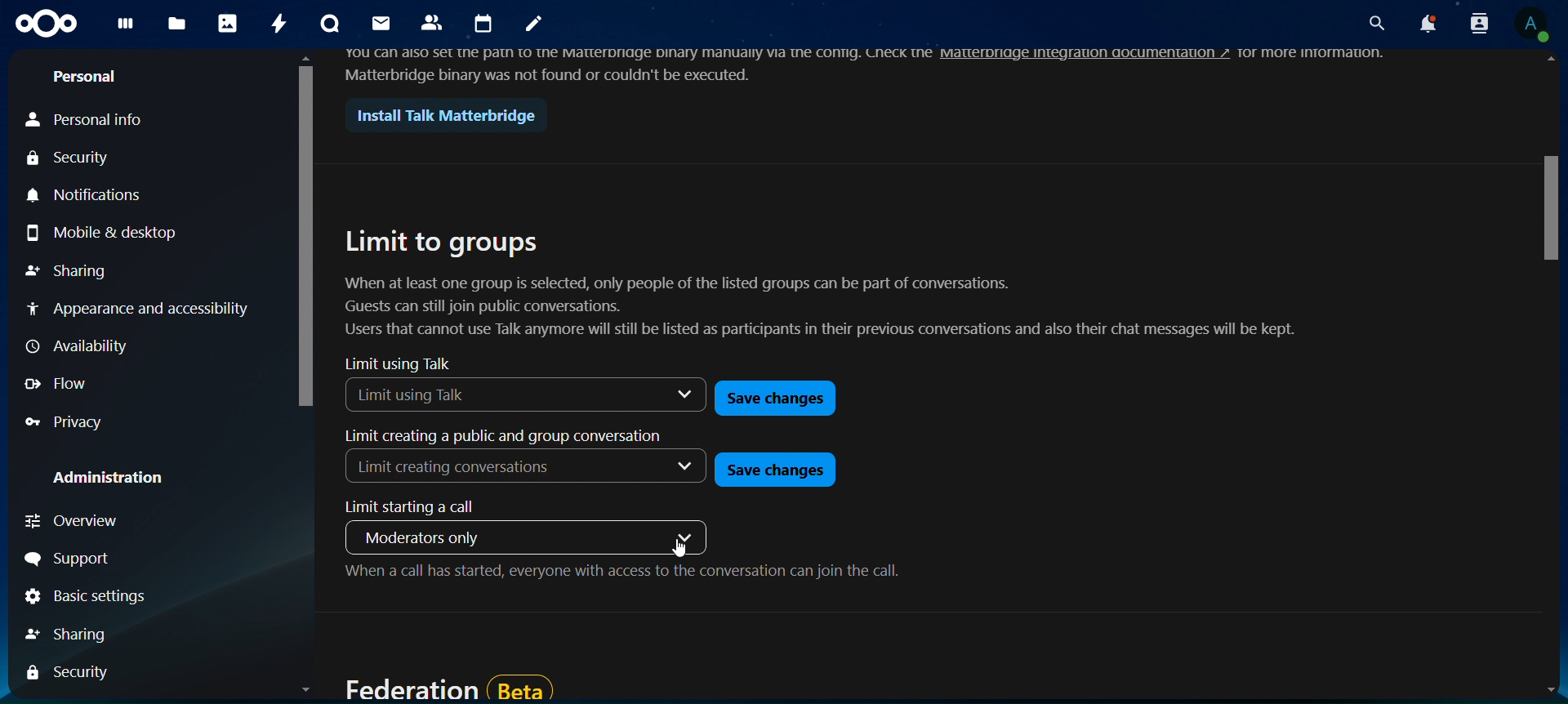 This screenshot has height=704, width=1568. I want to click on sharing, so click(66, 271).